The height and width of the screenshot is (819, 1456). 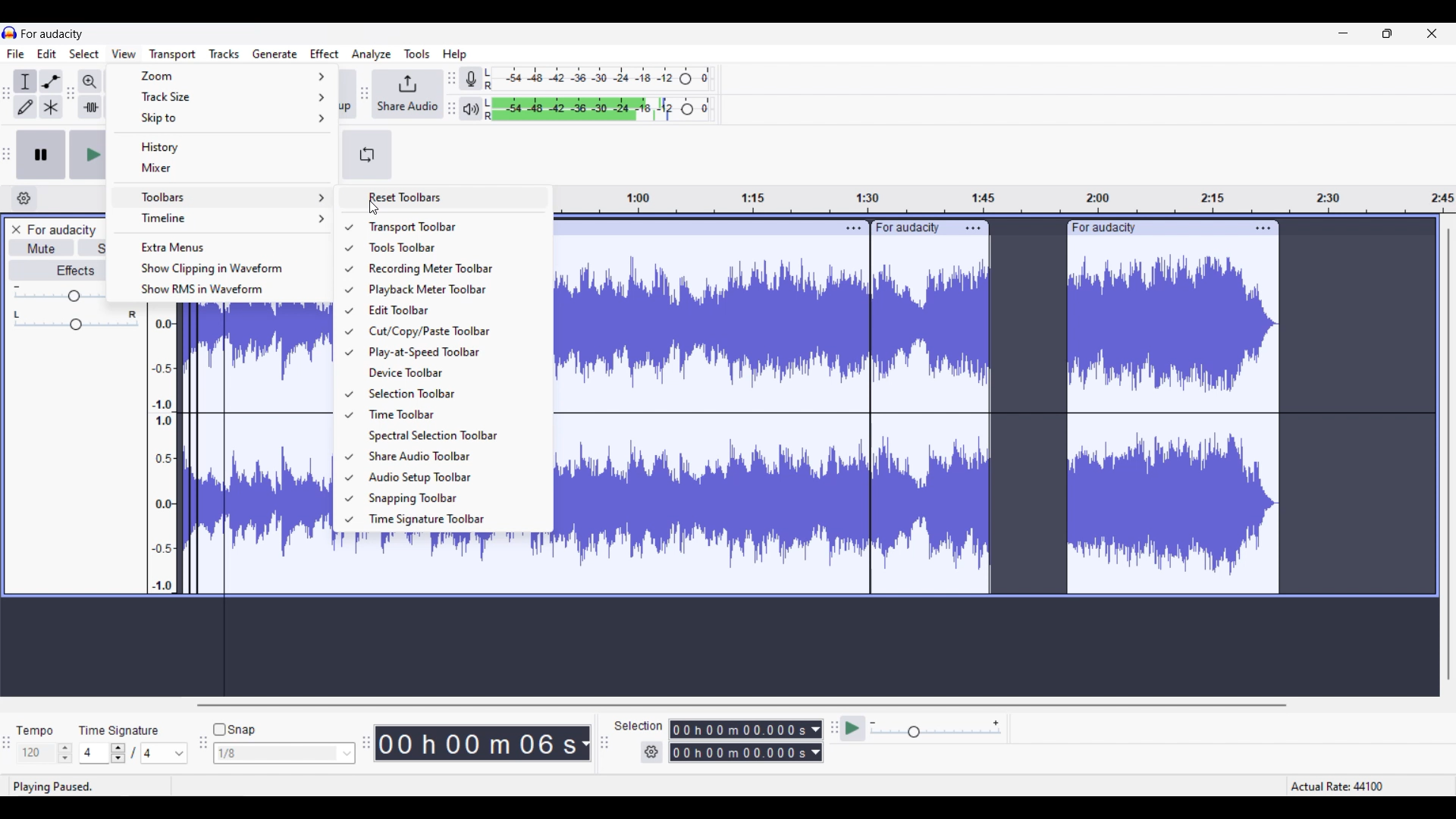 What do you see at coordinates (1154, 227) in the screenshot?
I see `click to drag` at bounding box center [1154, 227].